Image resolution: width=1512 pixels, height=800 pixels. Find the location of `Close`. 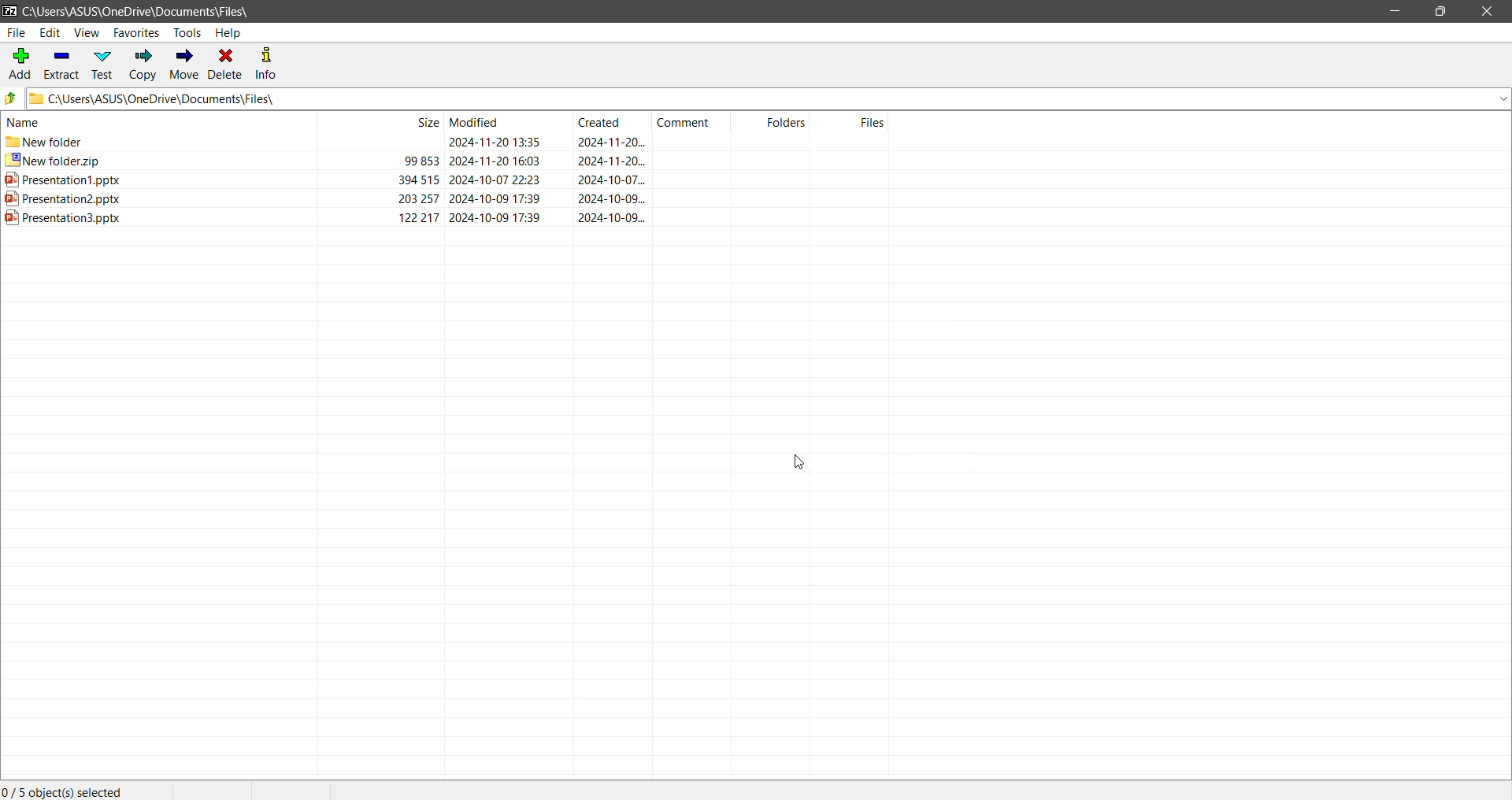

Close is located at coordinates (1486, 13).